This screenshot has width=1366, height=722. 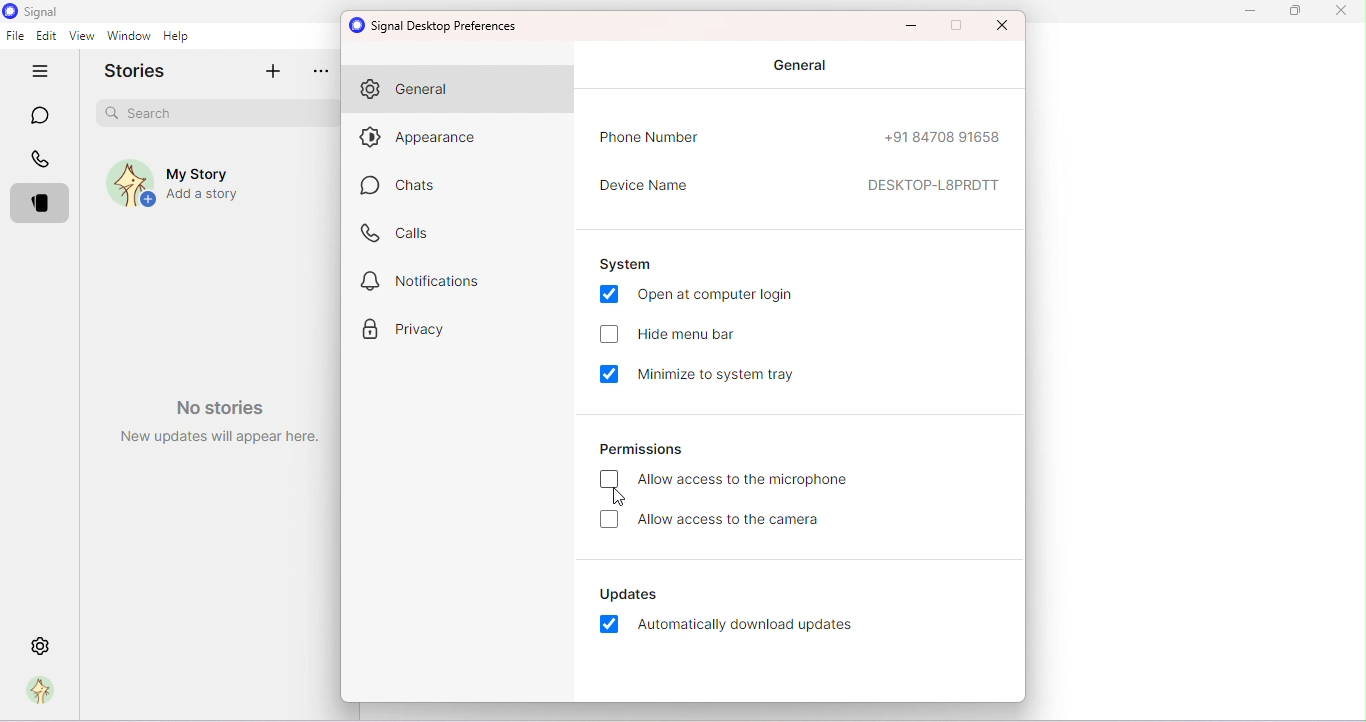 What do you see at coordinates (914, 26) in the screenshot?
I see `Minimize` at bounding box center [914, 26].